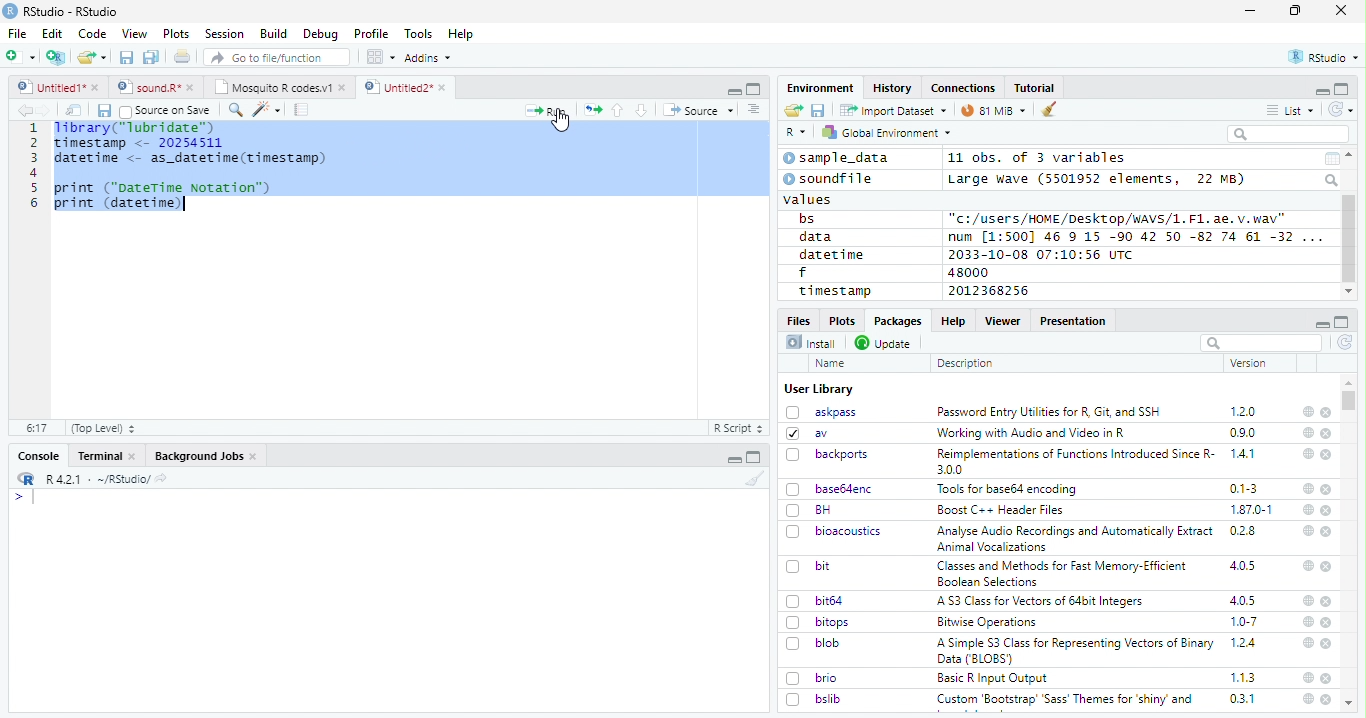 This screenshot has height=718, width=1366. What do you see at coordinates (164, 196) in the screenshot?
I see `print ("pateTime Notation")
print (datetime)` at bounding box center [164, 196].